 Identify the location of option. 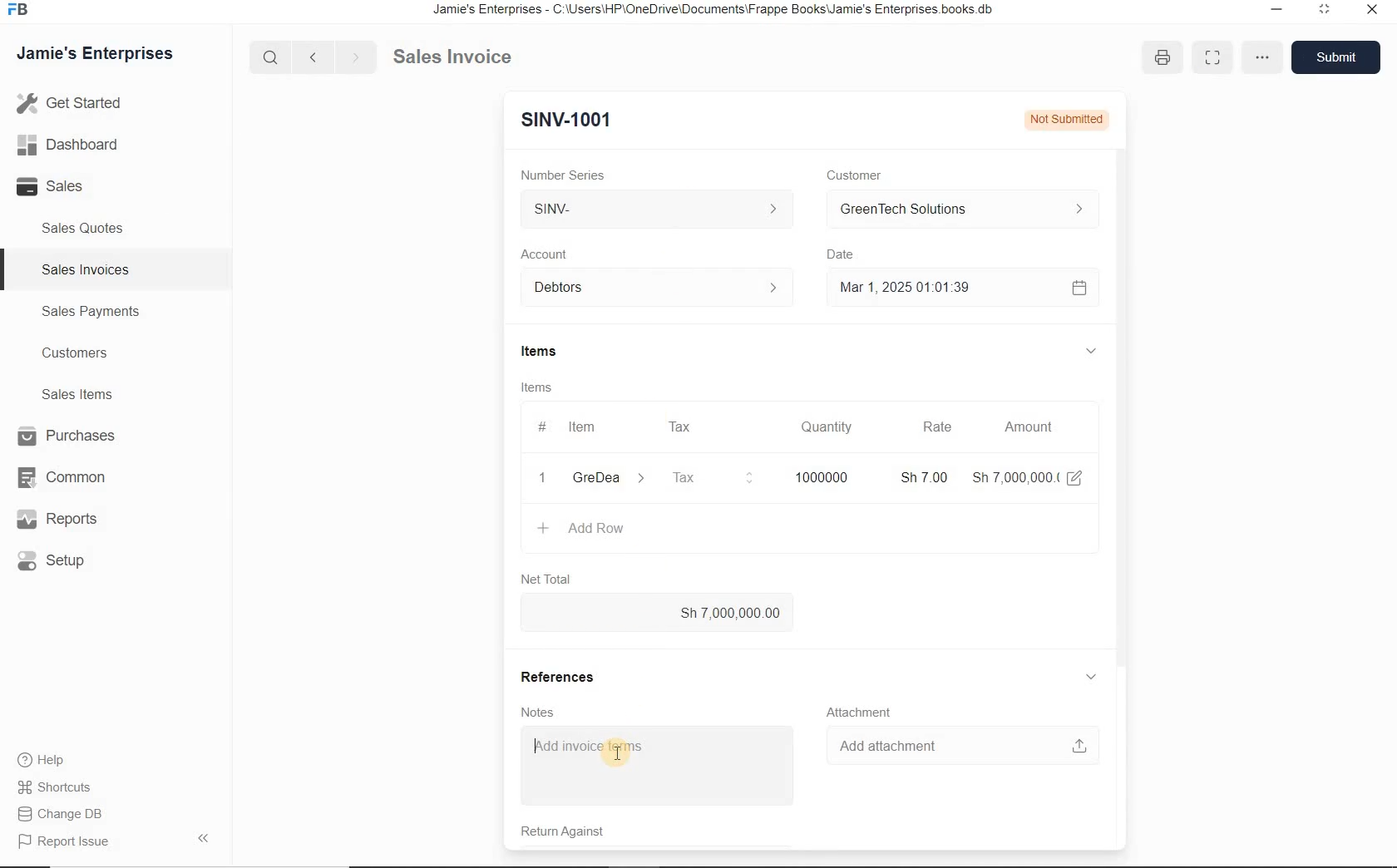
(1260, 56).